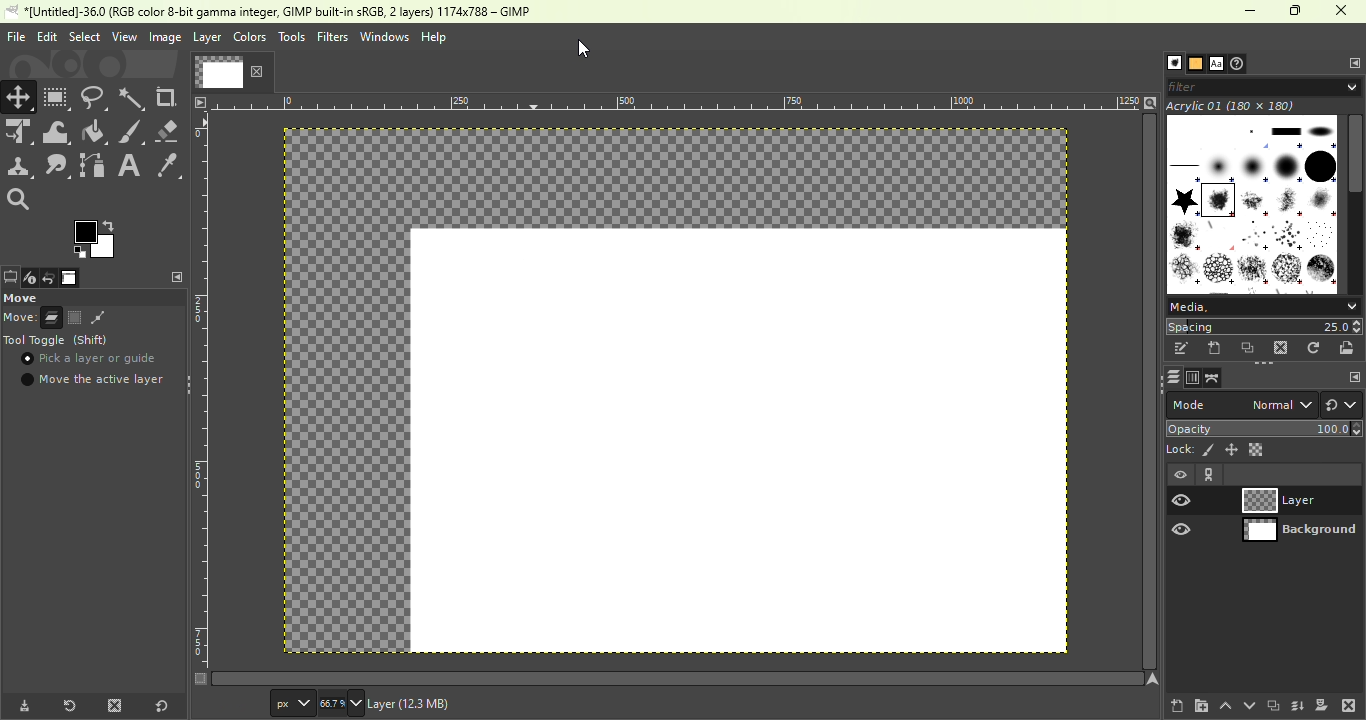  I want to click on Refresh brushes, so click(1316, 347).